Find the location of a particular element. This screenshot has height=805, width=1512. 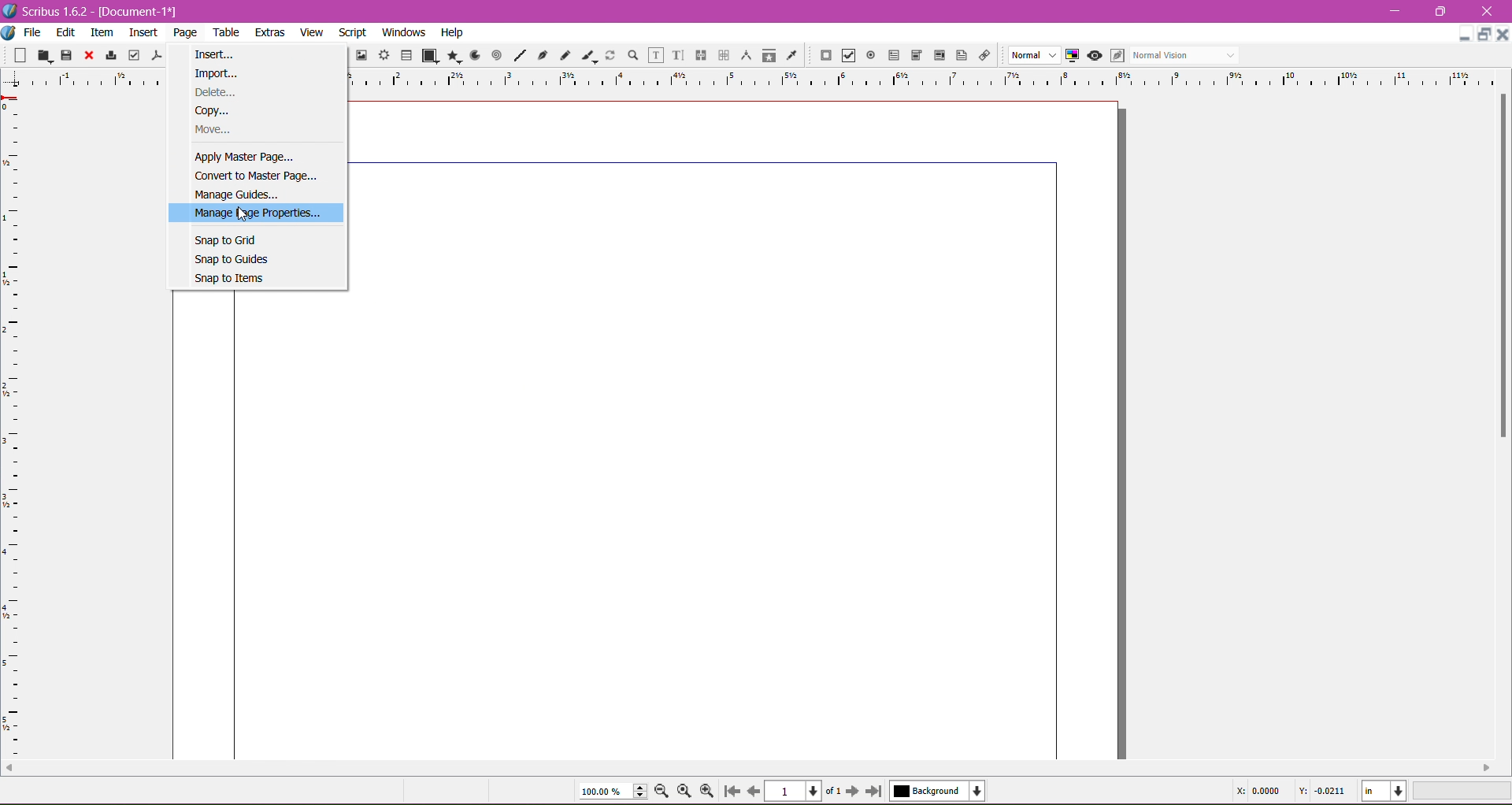

PDF Combo Box is located at coordinates (917, 55).